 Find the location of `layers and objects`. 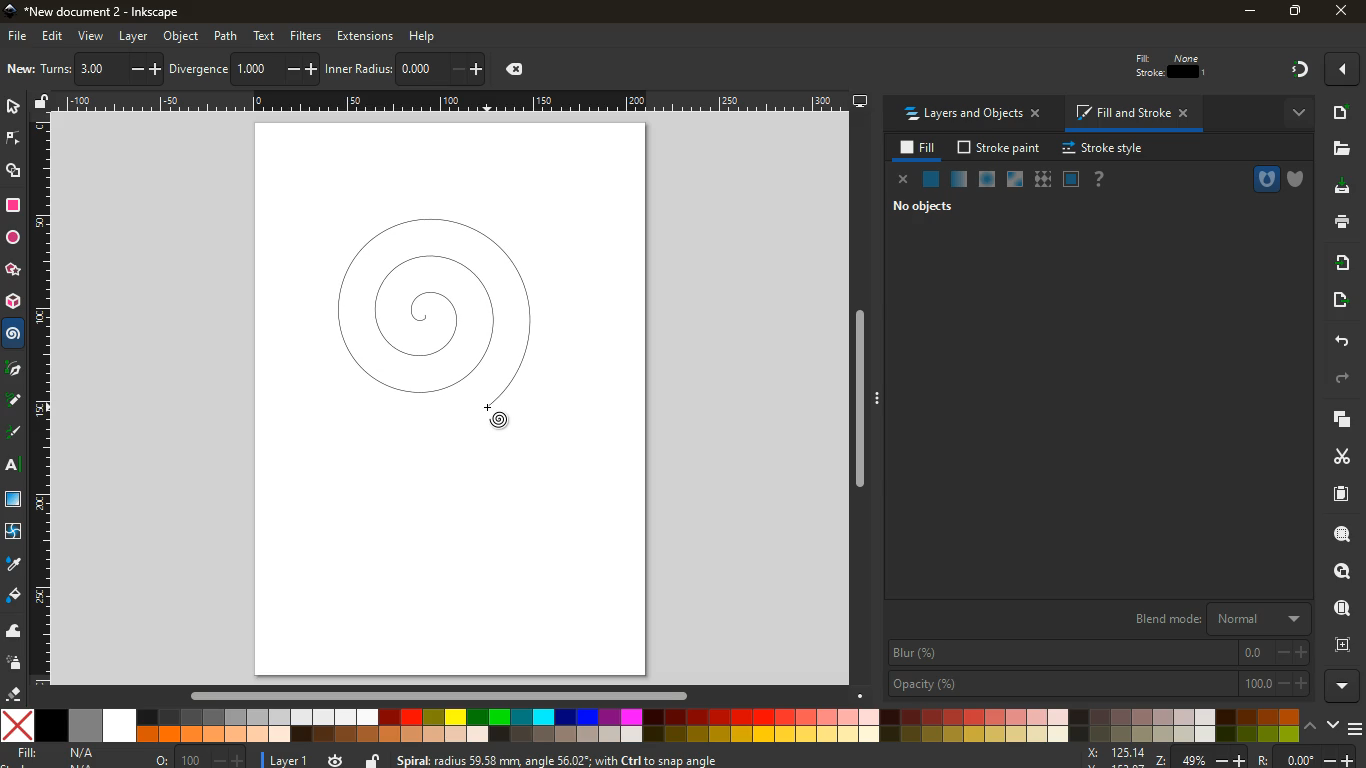

layers and objects is located at coordinates (970, 114).